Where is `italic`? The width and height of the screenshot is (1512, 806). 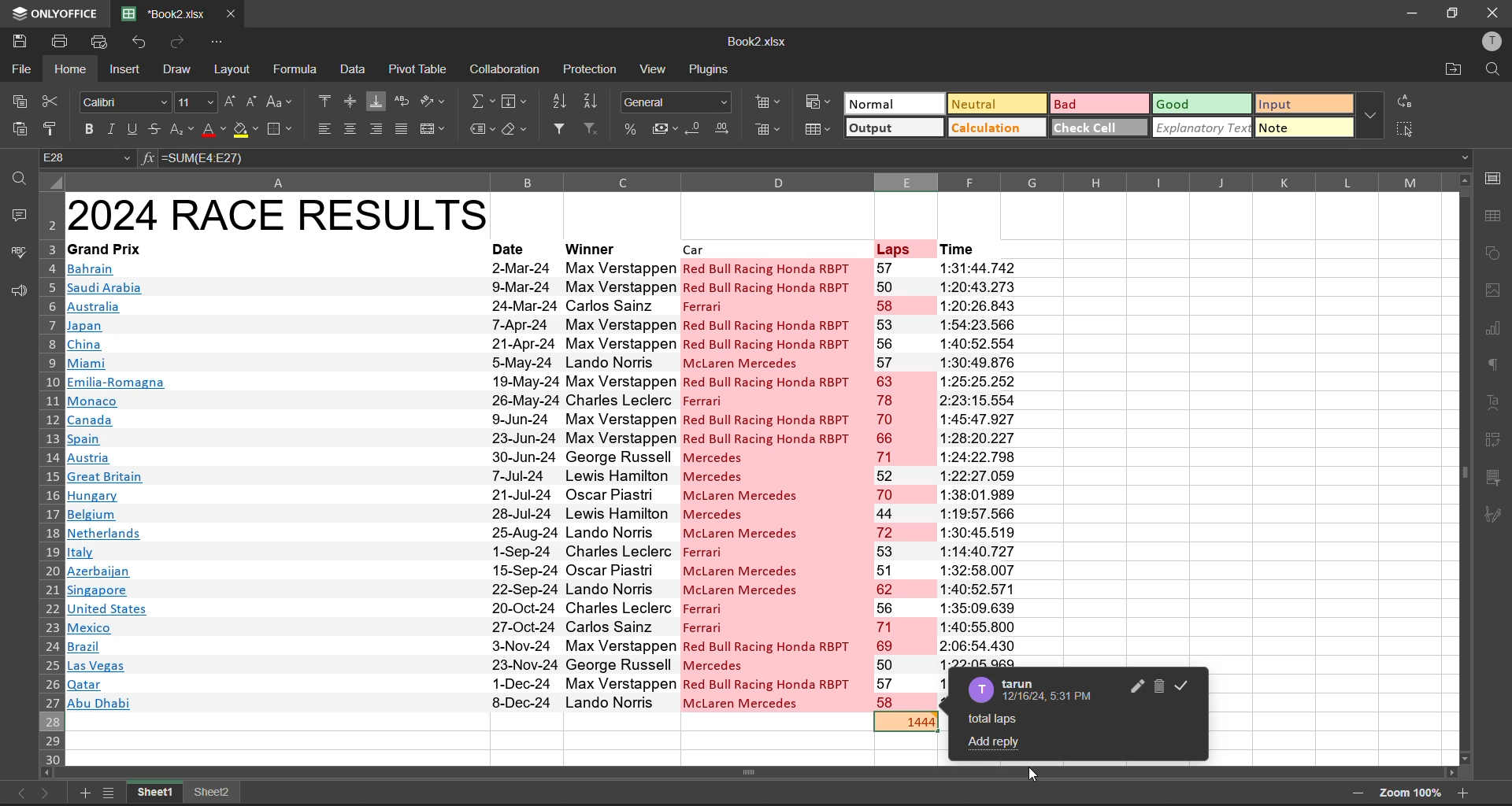 italic is located at coordinates (113, 128).